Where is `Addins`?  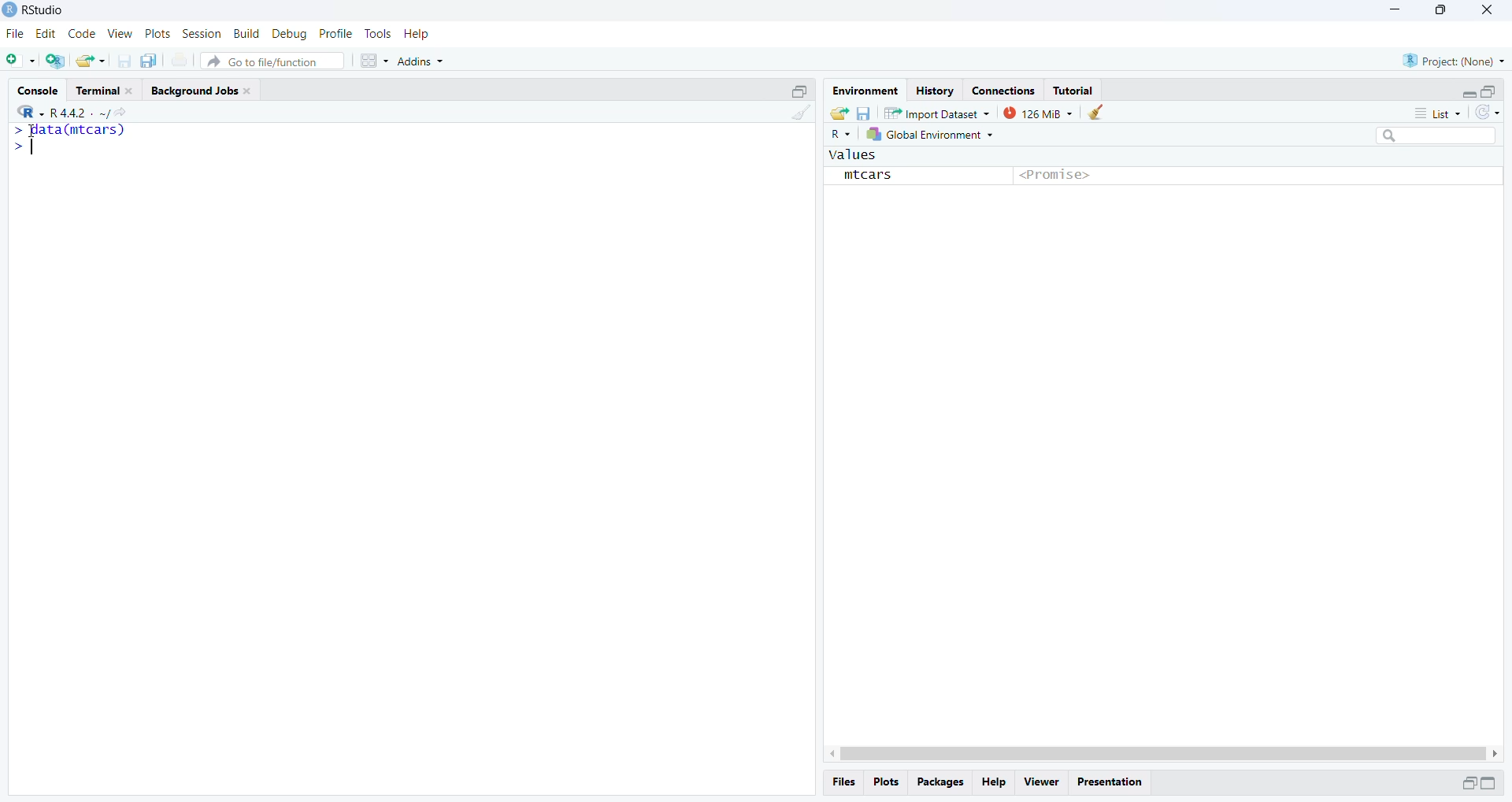 Addins is located at coordinates (421, 61).